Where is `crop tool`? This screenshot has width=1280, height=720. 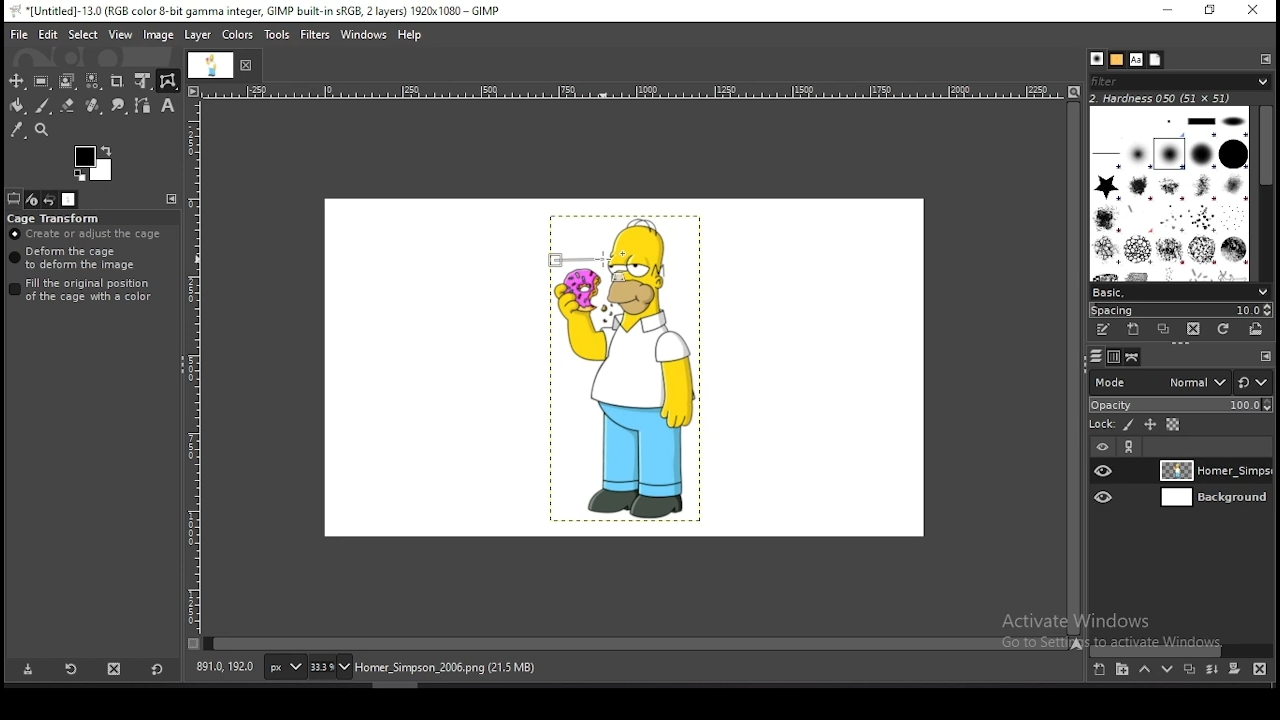
crop tool is located at coordinates (119, 81).